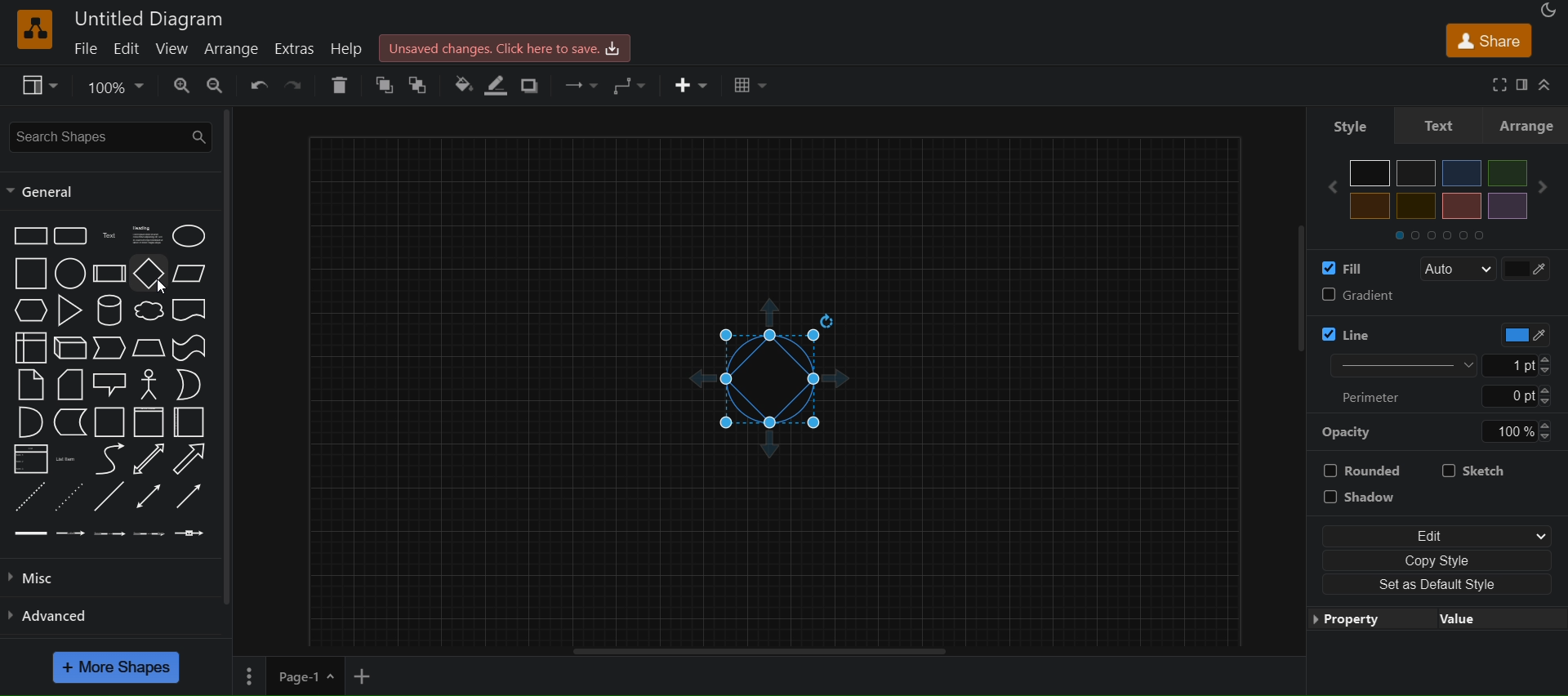 The width and height of the screenshot is (1568, 696). Describe the element at coordinates (236, 50) in the screenshot. I see `arrange` at that location.